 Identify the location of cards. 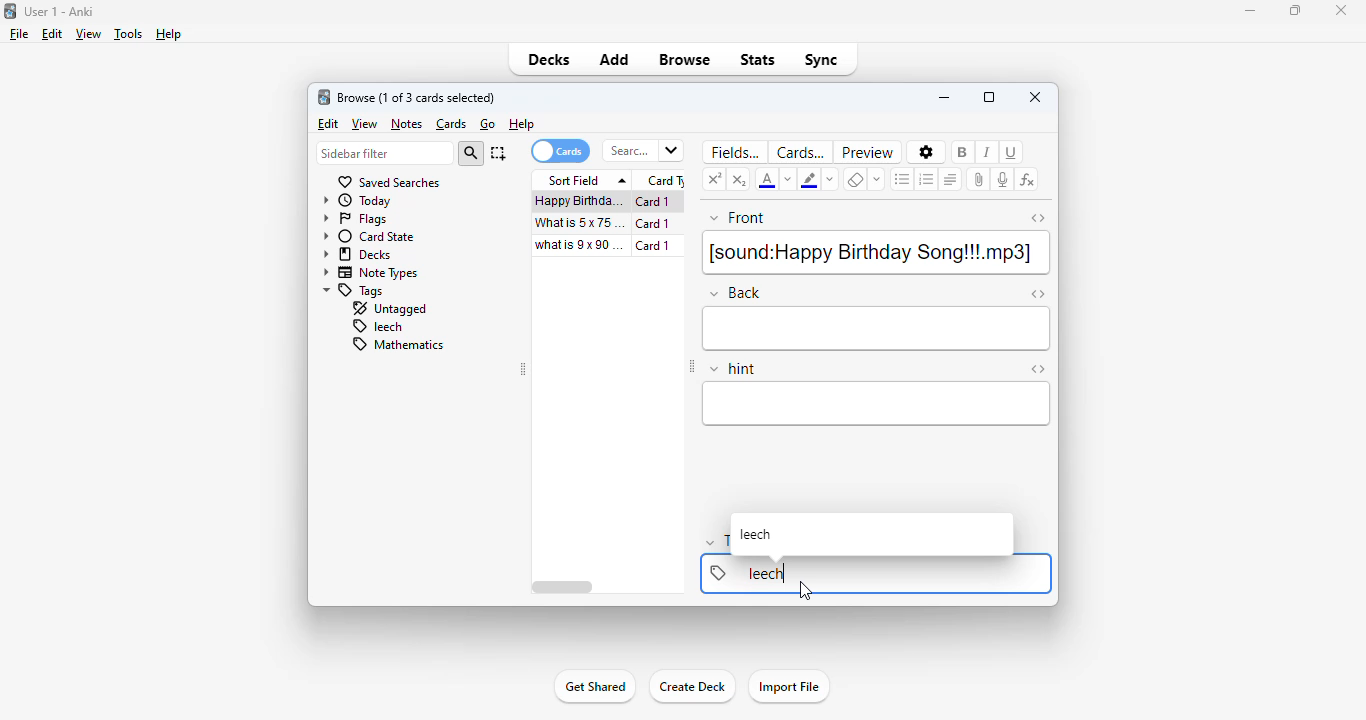
(452, 125).